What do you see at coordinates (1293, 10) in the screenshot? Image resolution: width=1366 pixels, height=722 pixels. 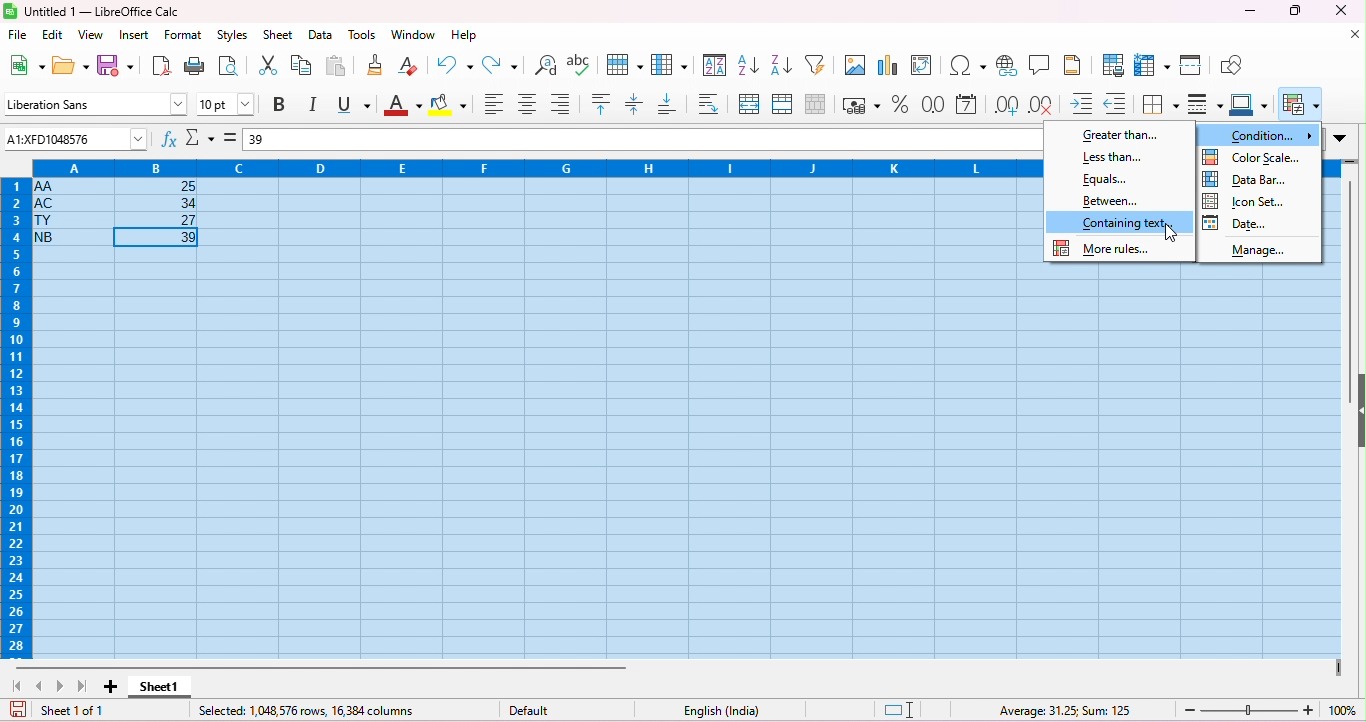 I see `maximize` at bounding box center [1293, 10].